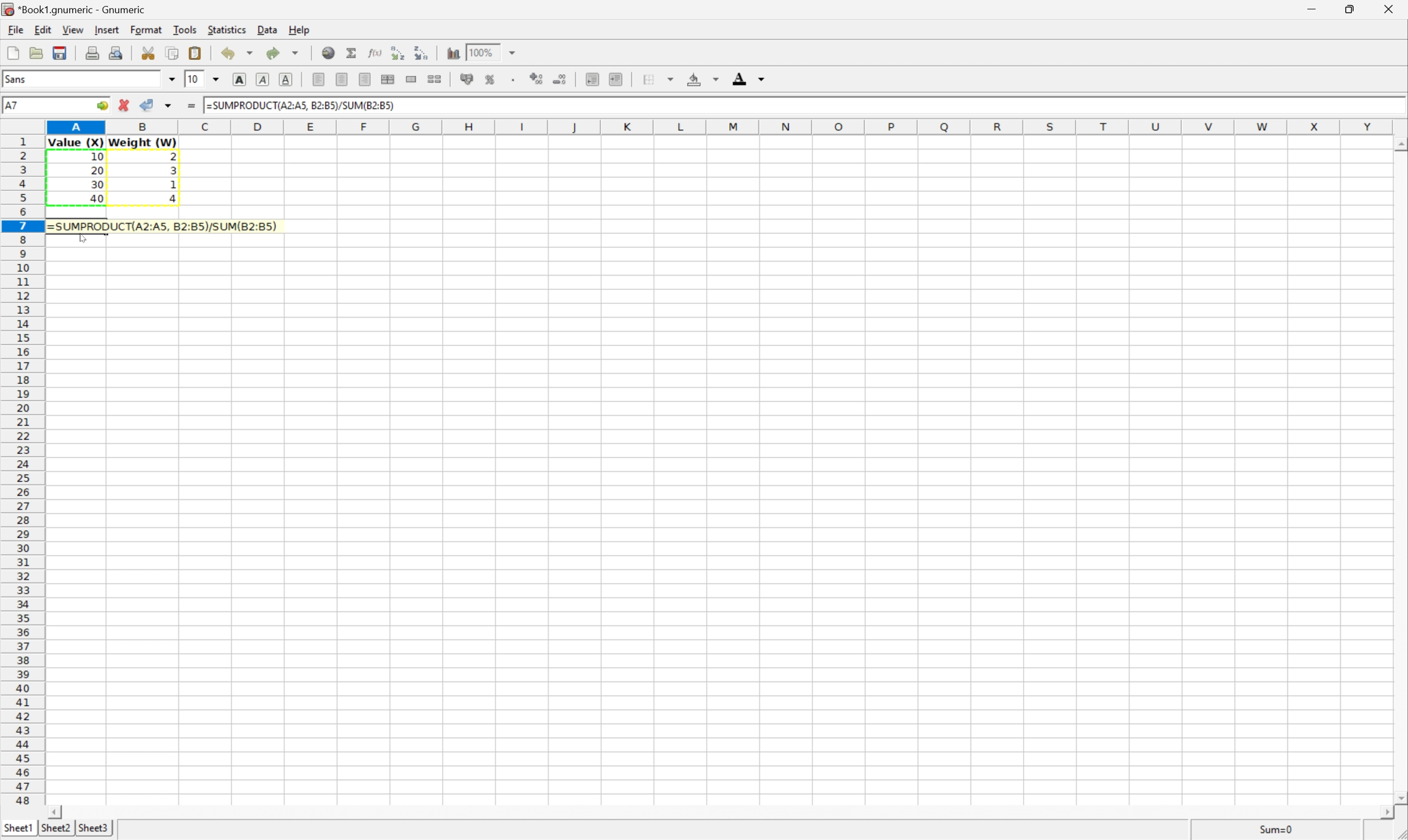 The width and height of the screenshot is (1408, 840). Describe the element at coordinates (75, 30) in the screenshot. I see `View` at that location.